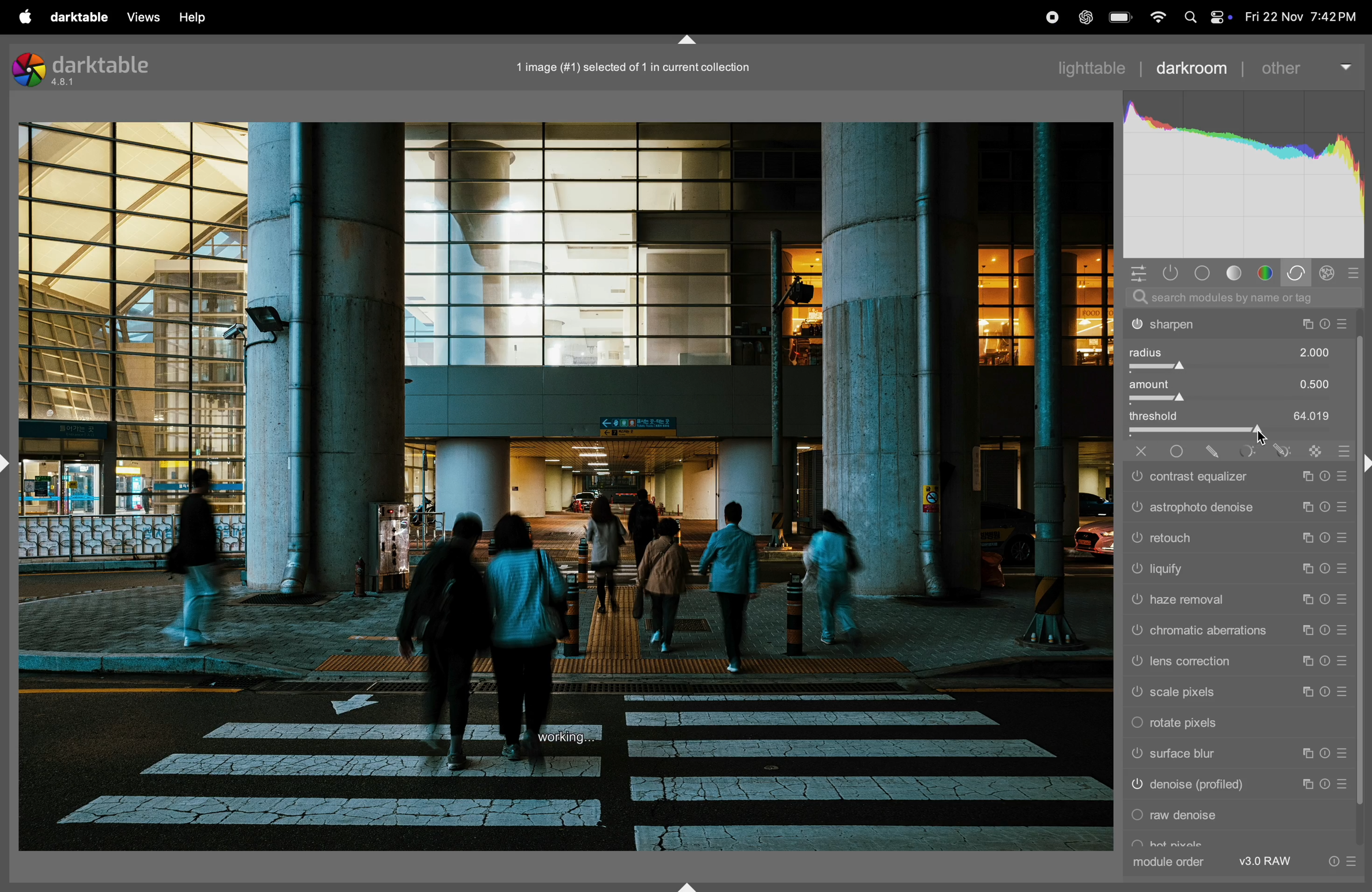 This screenshot has height=892, width=1372. I want to click on module order, so click(1171, 861).